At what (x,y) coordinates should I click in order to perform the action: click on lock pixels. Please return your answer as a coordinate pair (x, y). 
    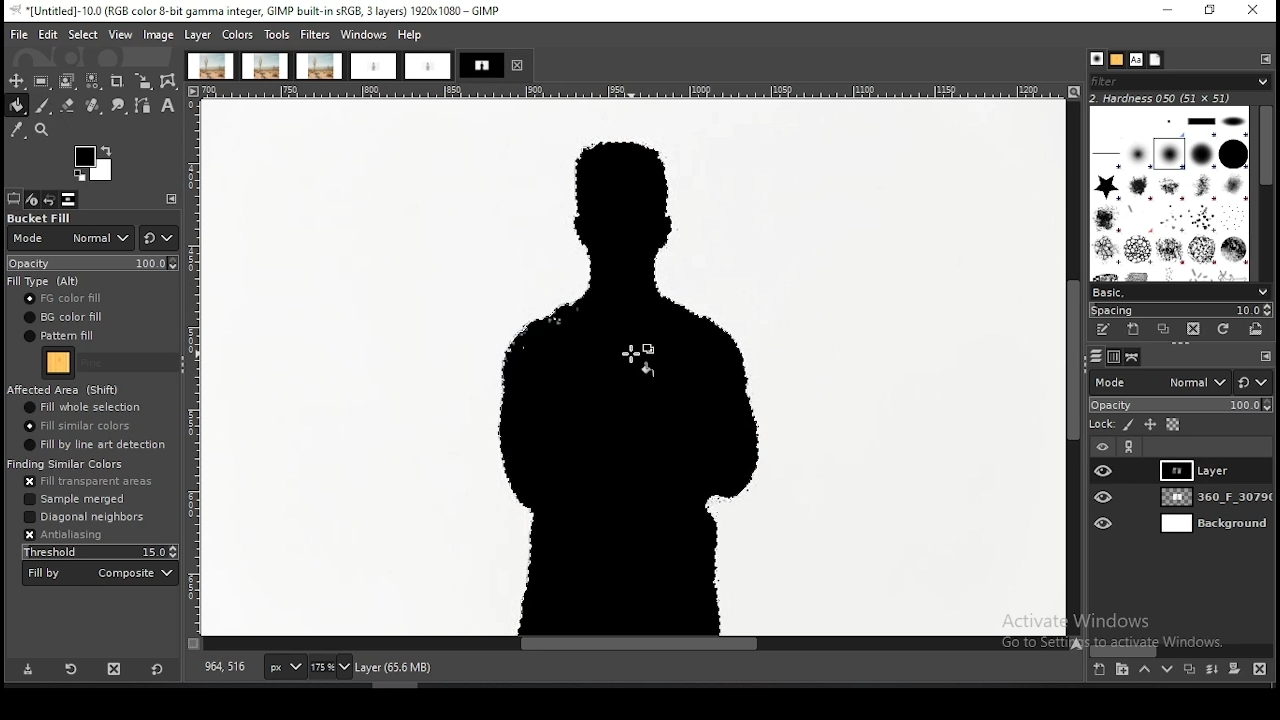
    Looking at the image, I should click on (1129, 426).